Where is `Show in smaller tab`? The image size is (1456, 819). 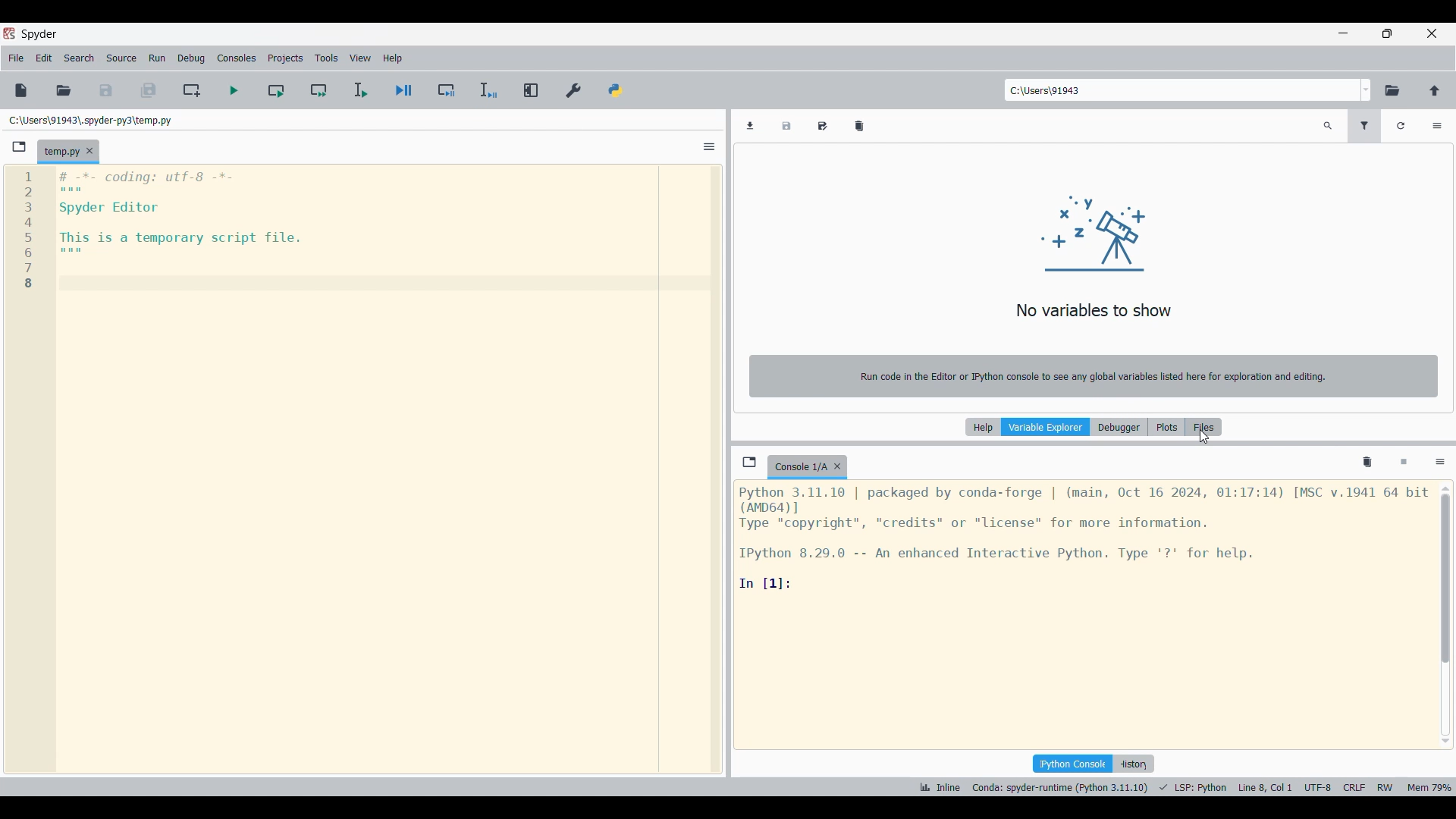 Show in smaller tab is located at coordinates (1387, 33).